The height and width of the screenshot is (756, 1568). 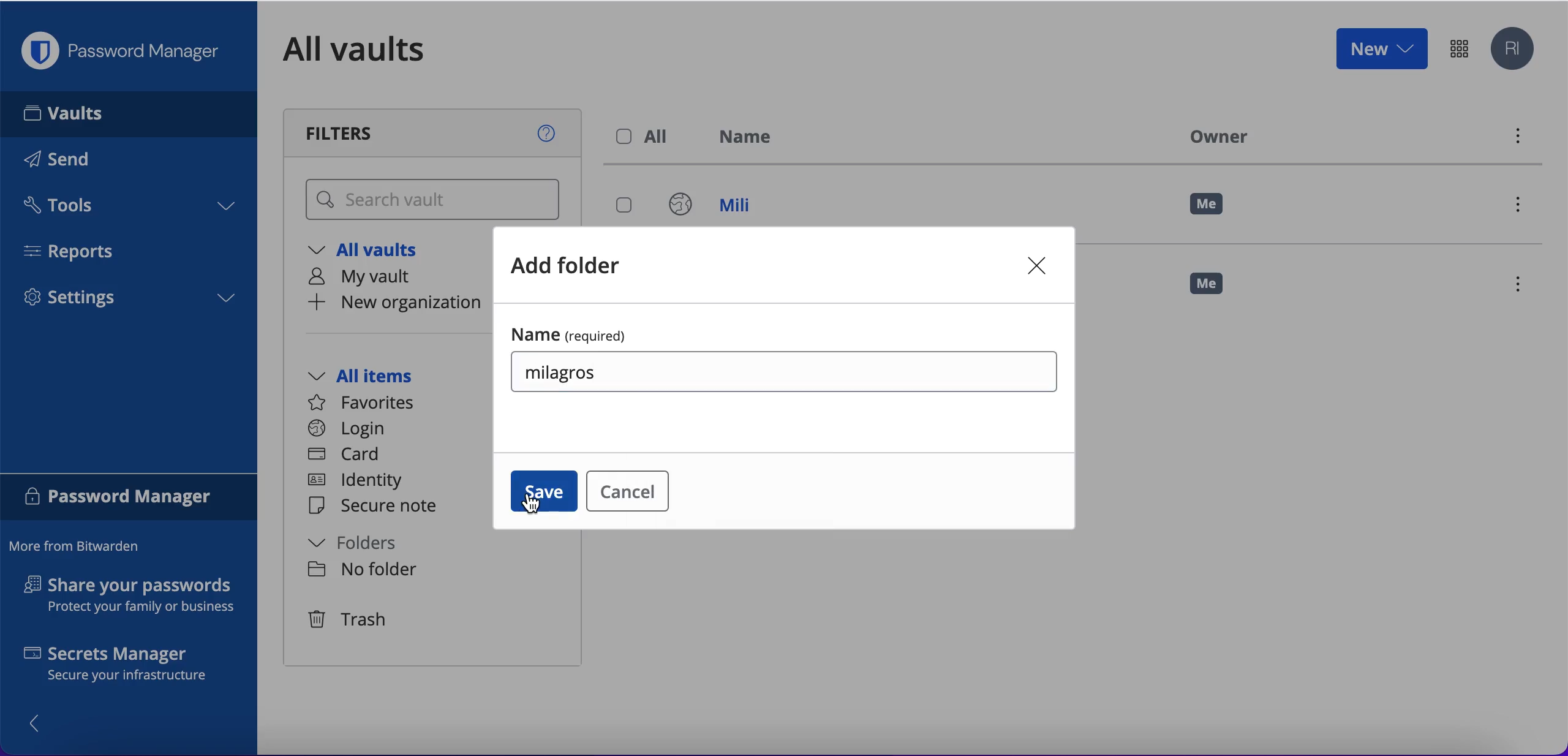 I want to click on send, so click(x=75, y=162).